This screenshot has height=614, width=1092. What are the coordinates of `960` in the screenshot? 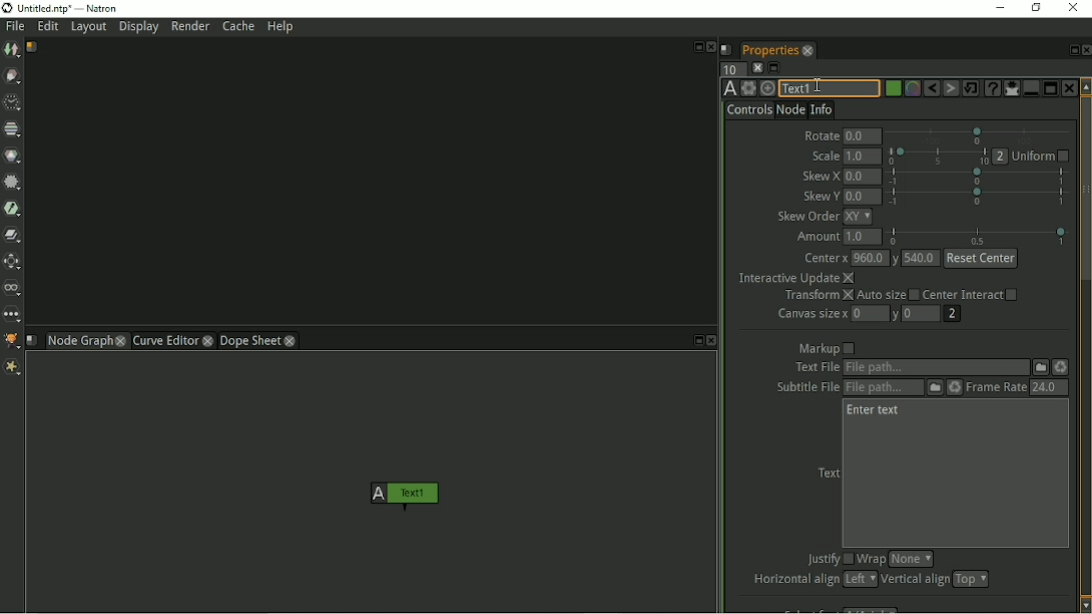 It's located at (869, 257).